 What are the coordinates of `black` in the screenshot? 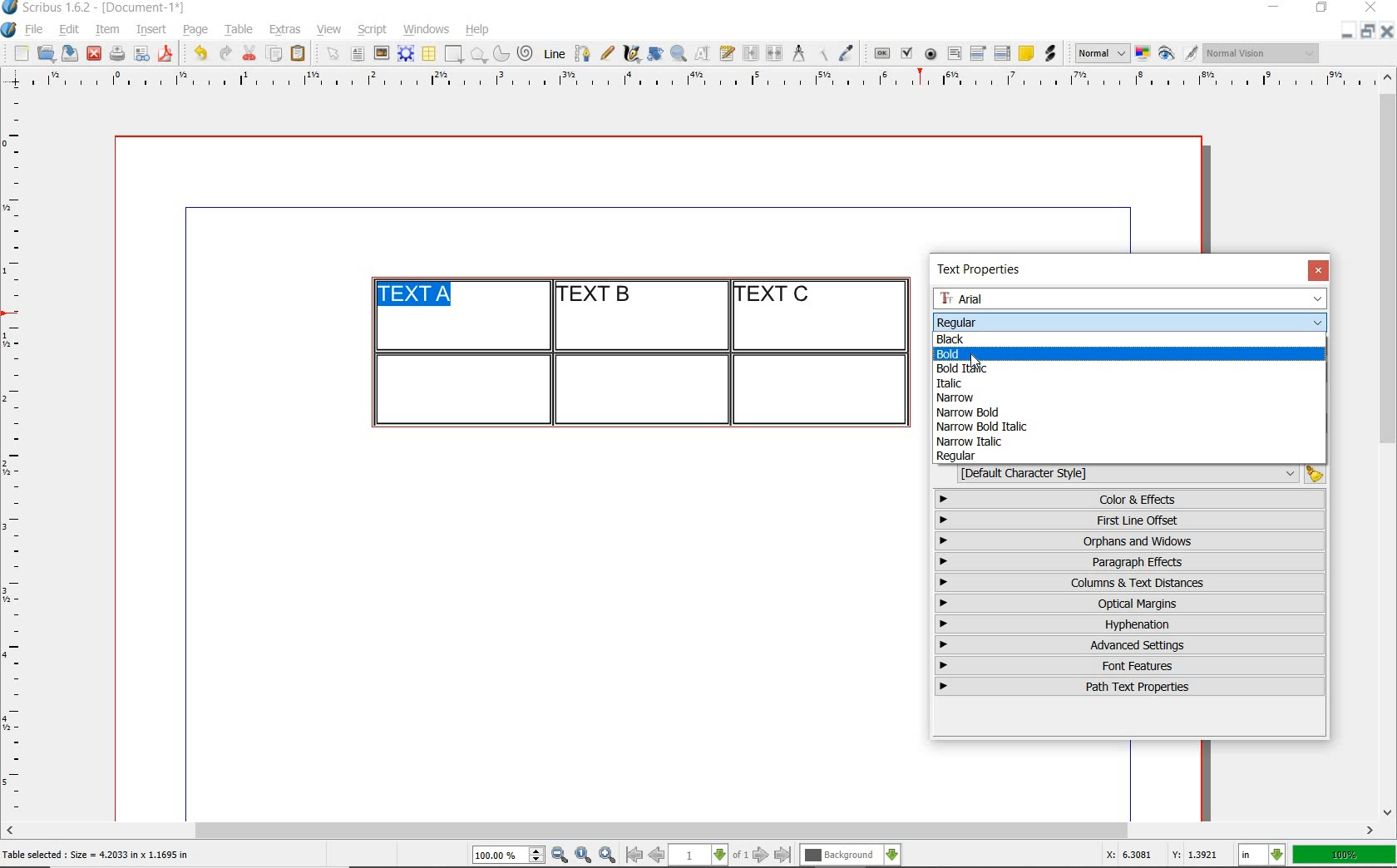 It's located at (952, 338).